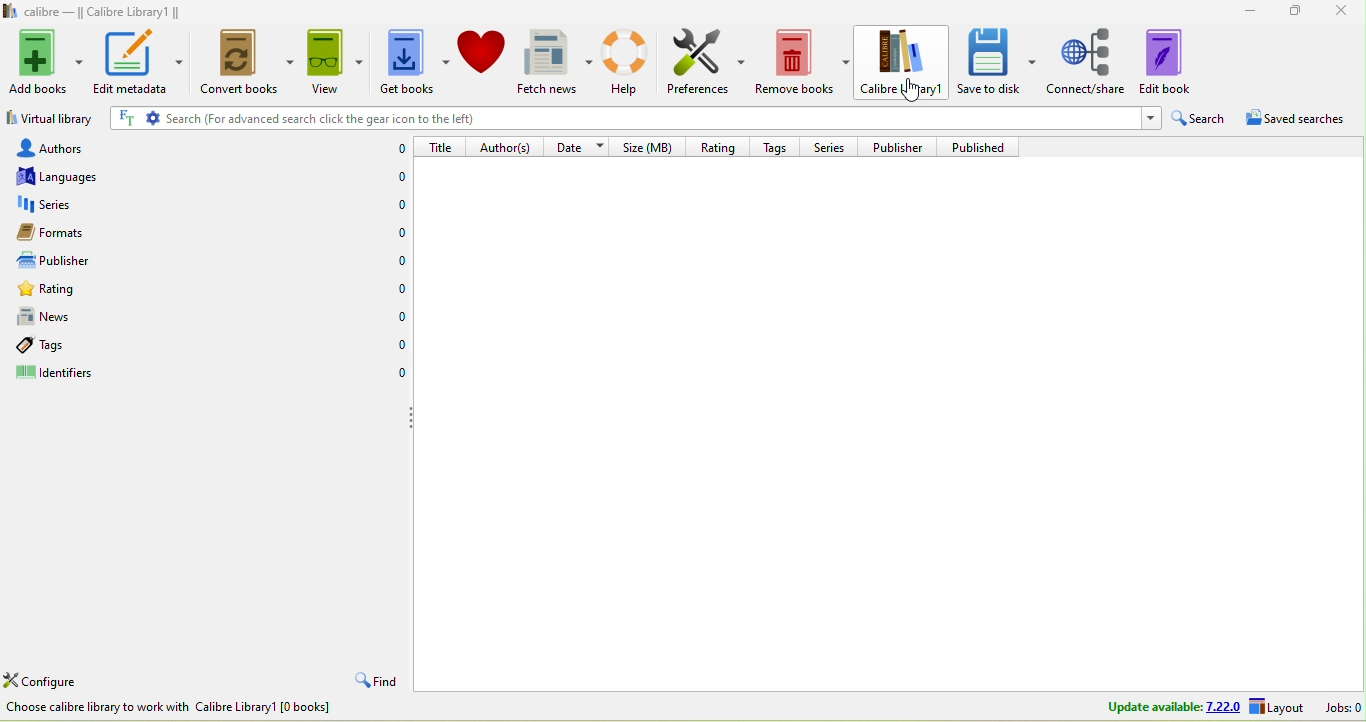 The image size is (1366, 722). Describe the element at coordinates (64, 683) in the screenshot. I see `configue` at that location.